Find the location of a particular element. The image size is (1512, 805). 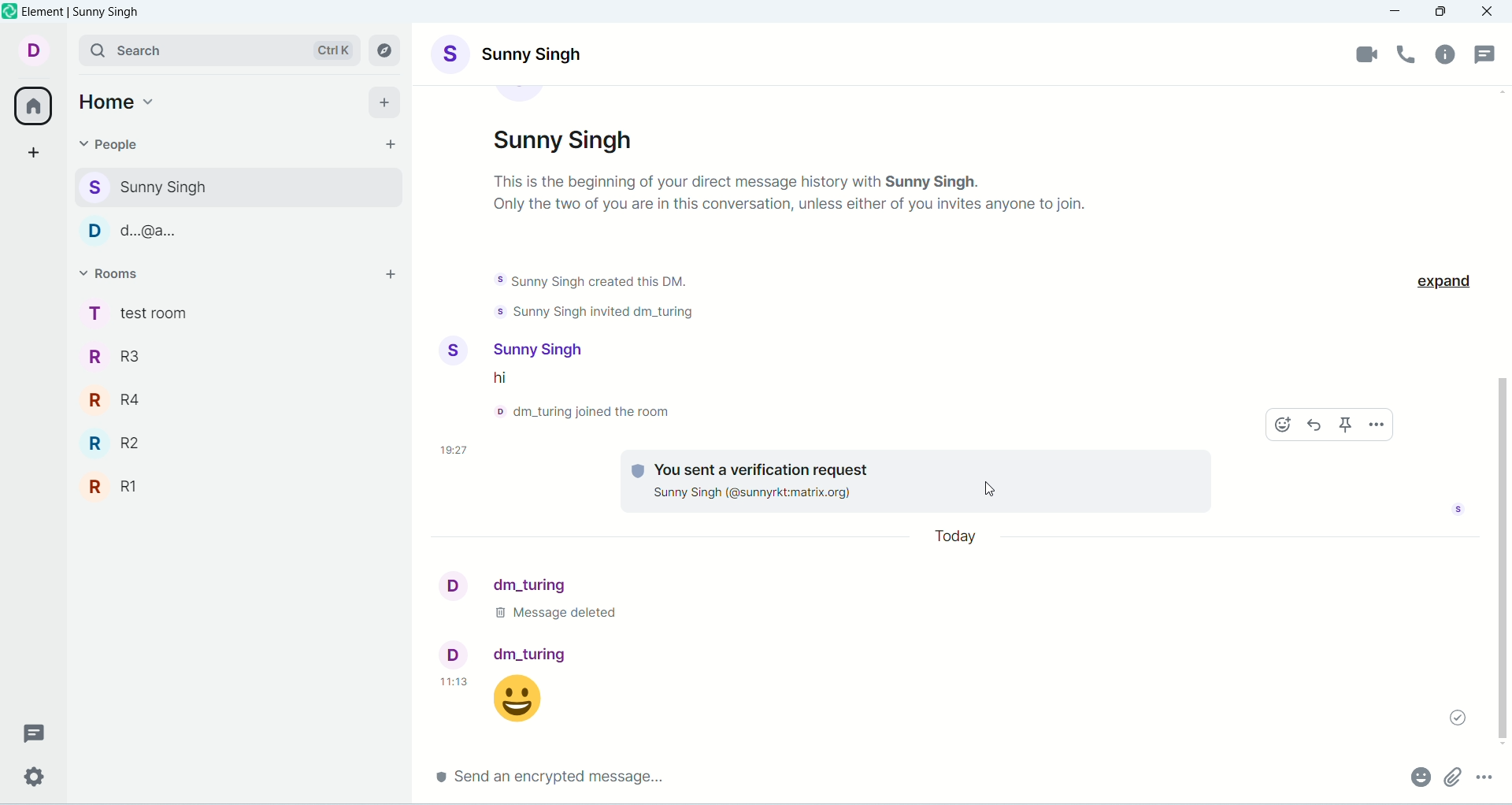

add is located at coordinates (389, 101).